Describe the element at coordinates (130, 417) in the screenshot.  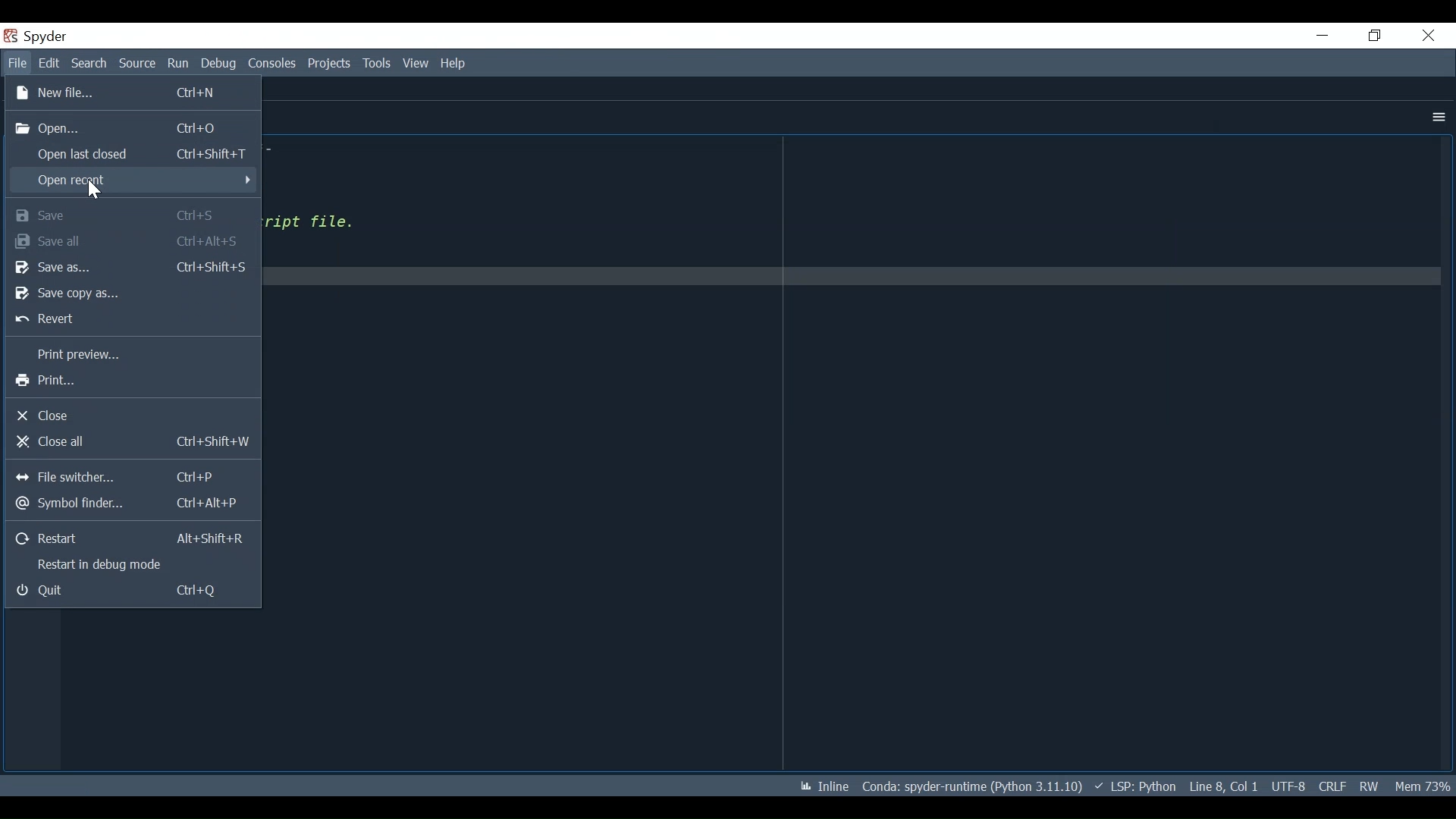
I see `Close` at that location.